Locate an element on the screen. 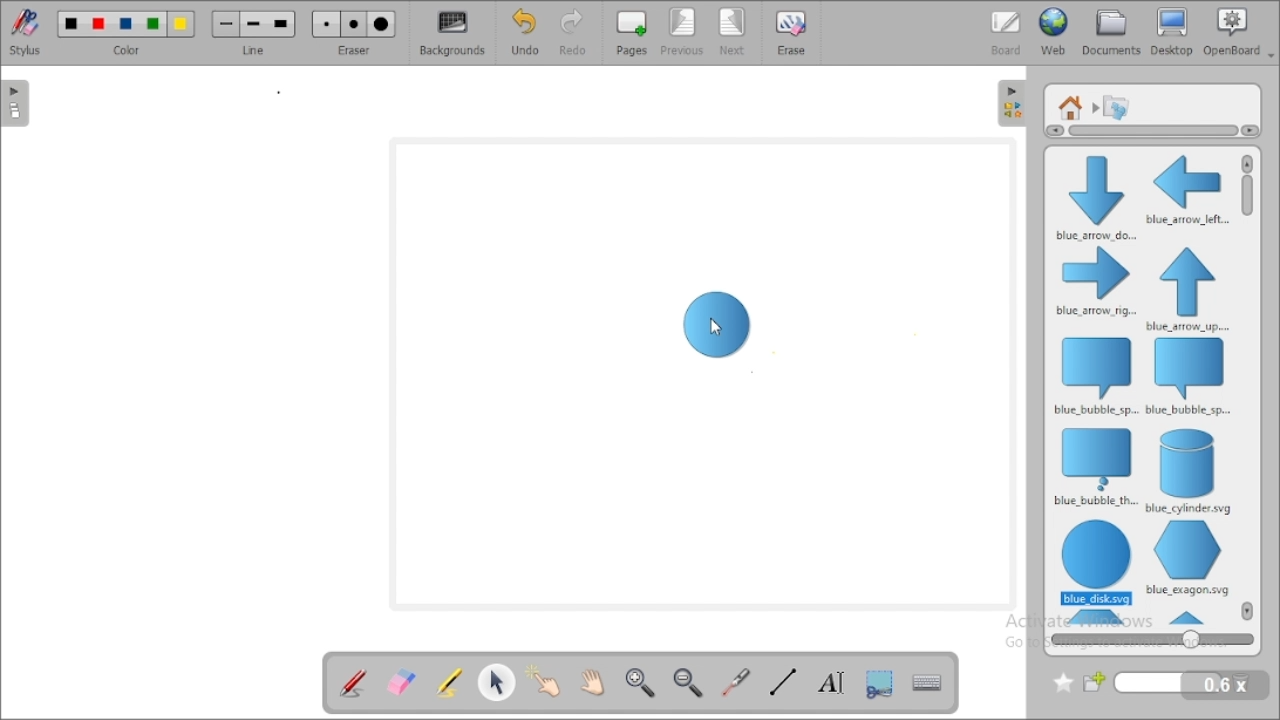  new folder is located at coordinates (1154, 683).